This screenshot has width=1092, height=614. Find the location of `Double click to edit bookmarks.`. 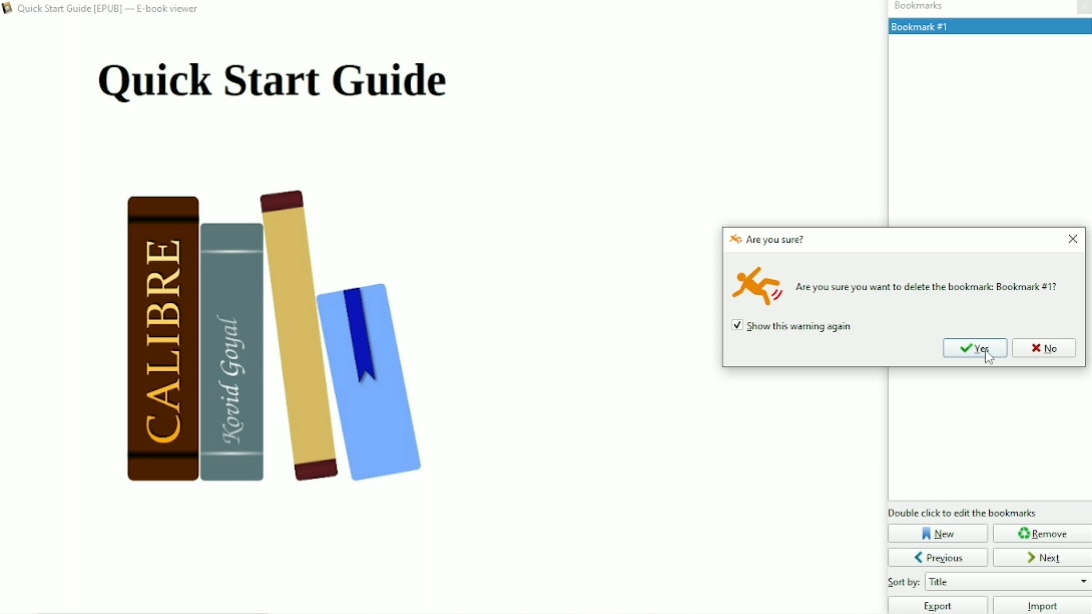

Double click to edit bookmarks. is located at coordinates (965, 513).